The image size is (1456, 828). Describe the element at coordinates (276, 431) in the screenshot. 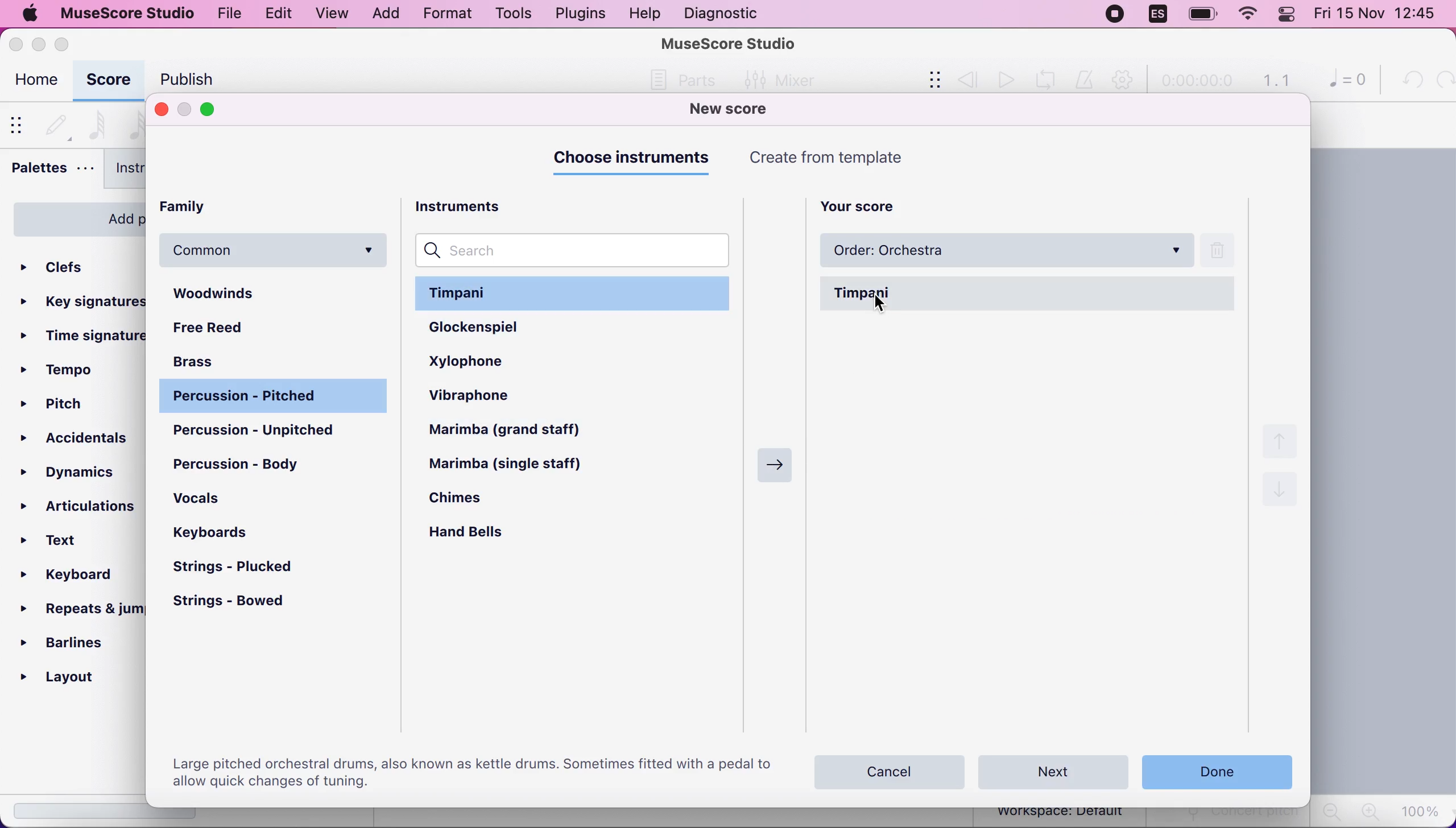

I see `percussion - unpitched` at that location.